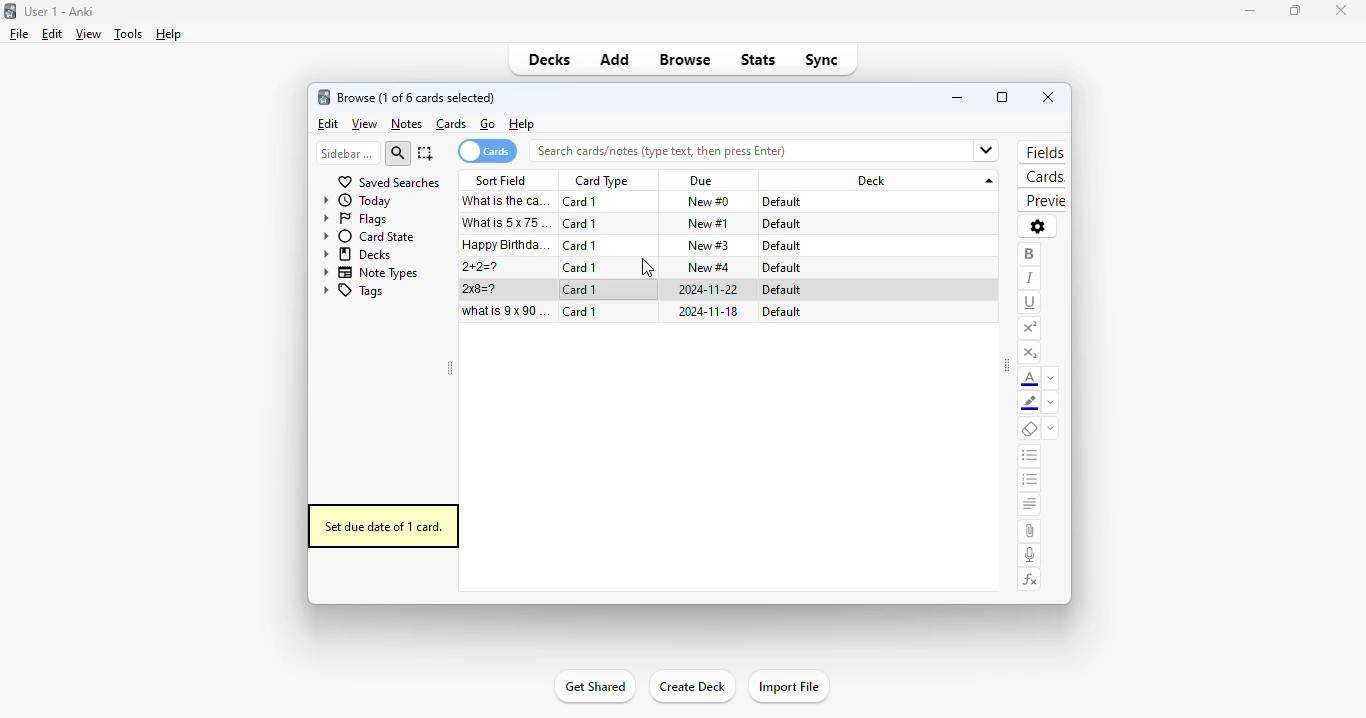 Image resolution: width=1366 pixels, height=718 pixels. Describe the element at coordinates (1030, 404) in the screenshot. I see `text highlighting color` at that location.